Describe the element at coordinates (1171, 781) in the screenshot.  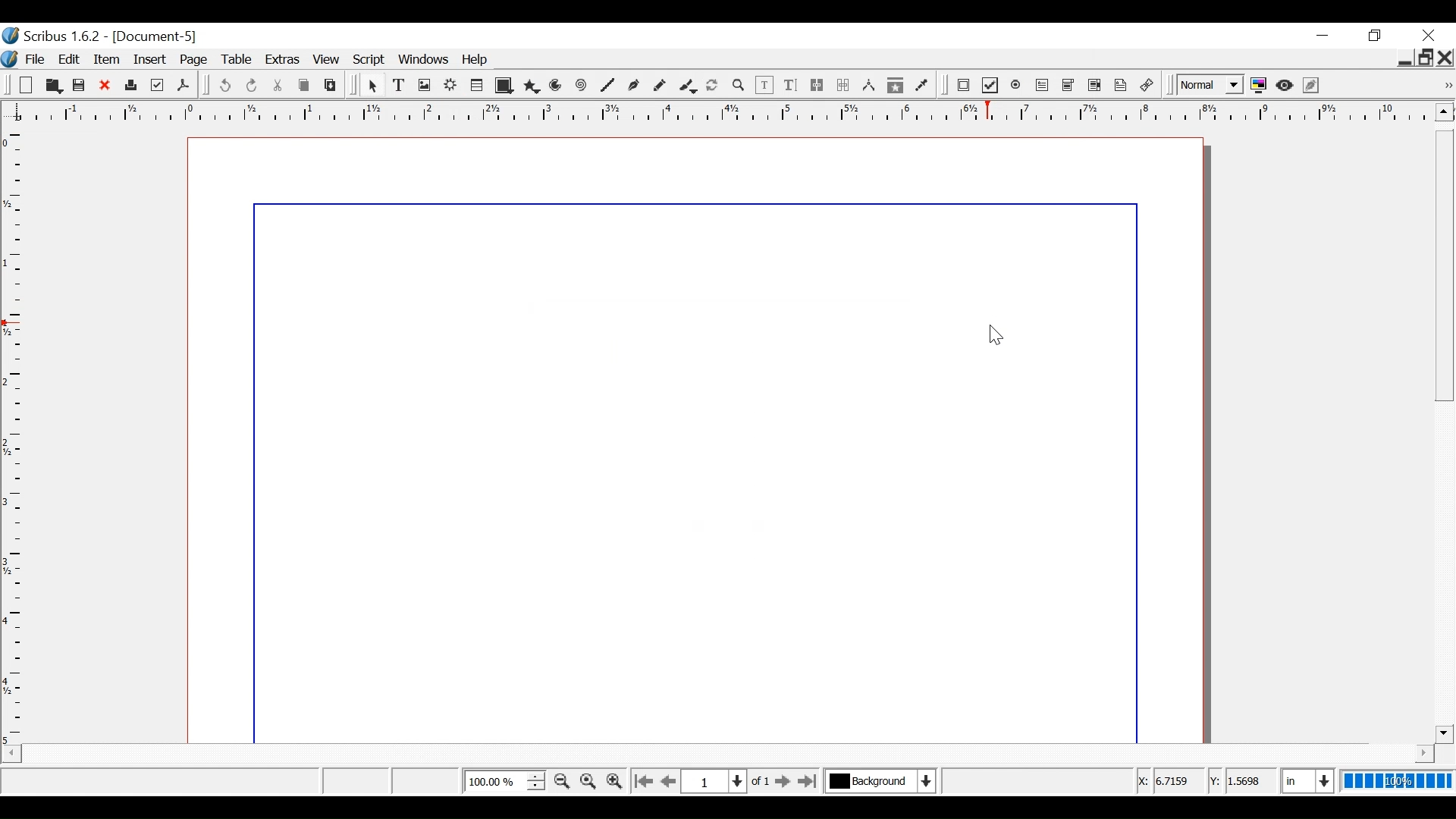
I see `X Coordinate` at that location.